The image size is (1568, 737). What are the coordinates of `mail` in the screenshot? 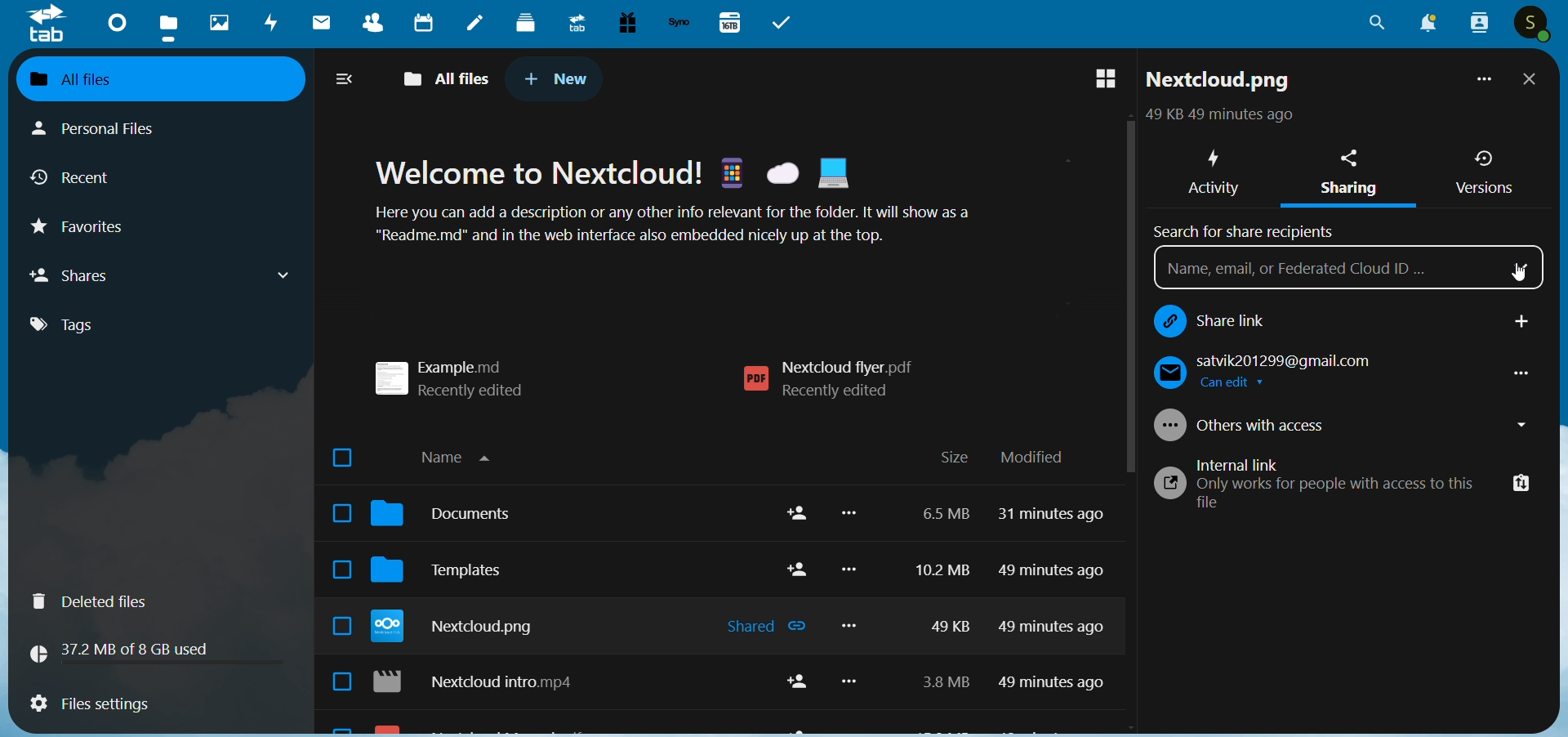 It's located at (318, 25).